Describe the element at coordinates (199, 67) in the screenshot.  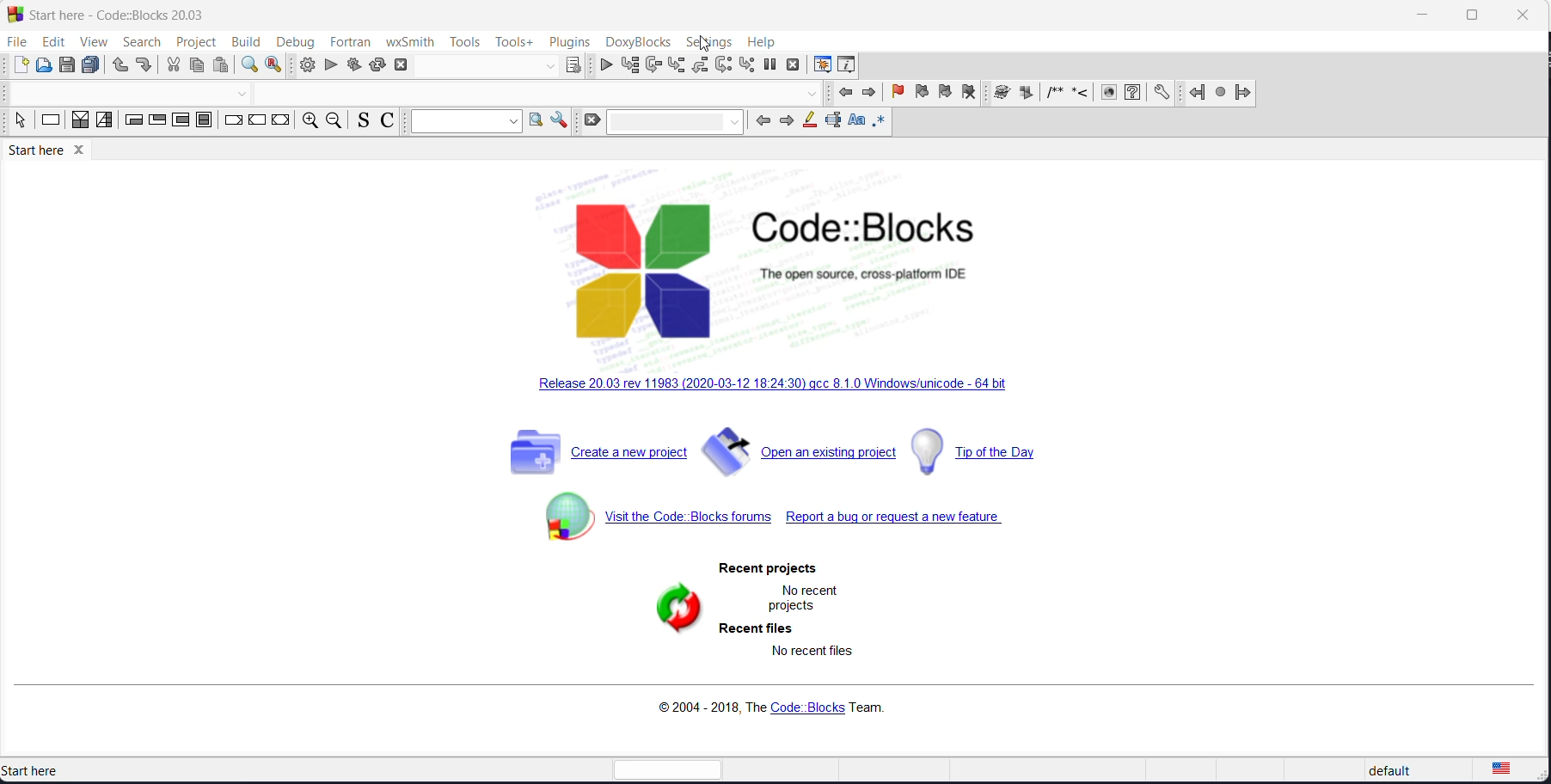
I see `copy` at that location.